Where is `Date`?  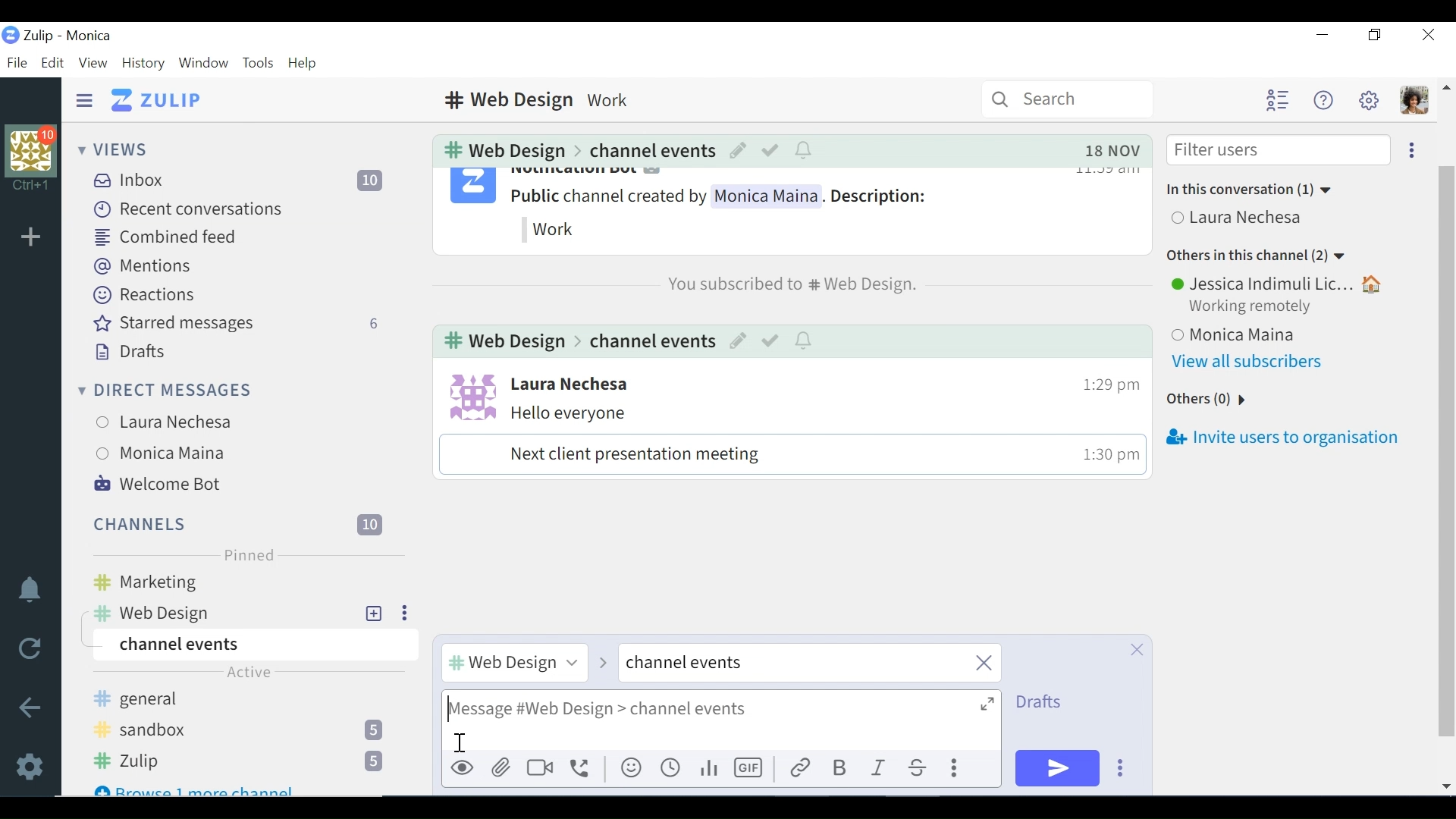
Date is located at coordinates (1112, 150).